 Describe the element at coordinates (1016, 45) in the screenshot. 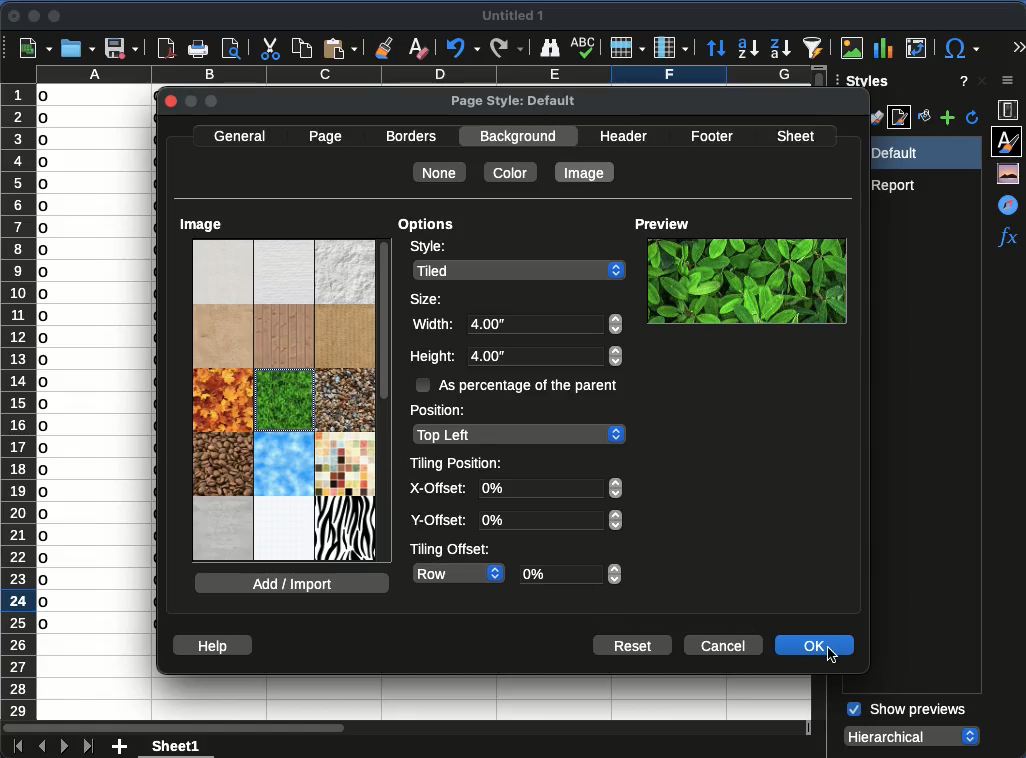

I see `expand` at that location.